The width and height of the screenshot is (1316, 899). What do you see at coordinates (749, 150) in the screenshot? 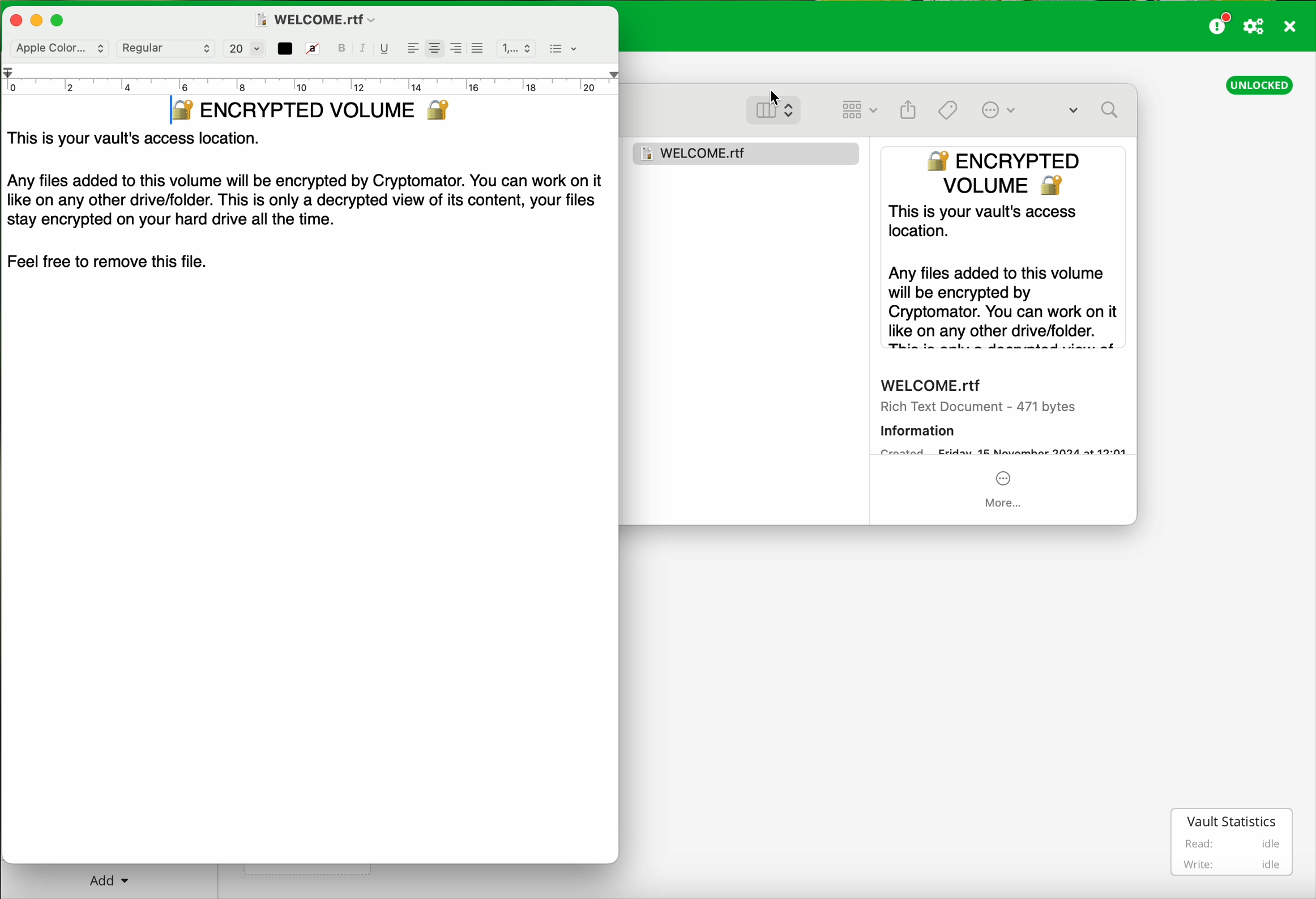
I see `Welcome.rtf` at bounding box center [749, 150].